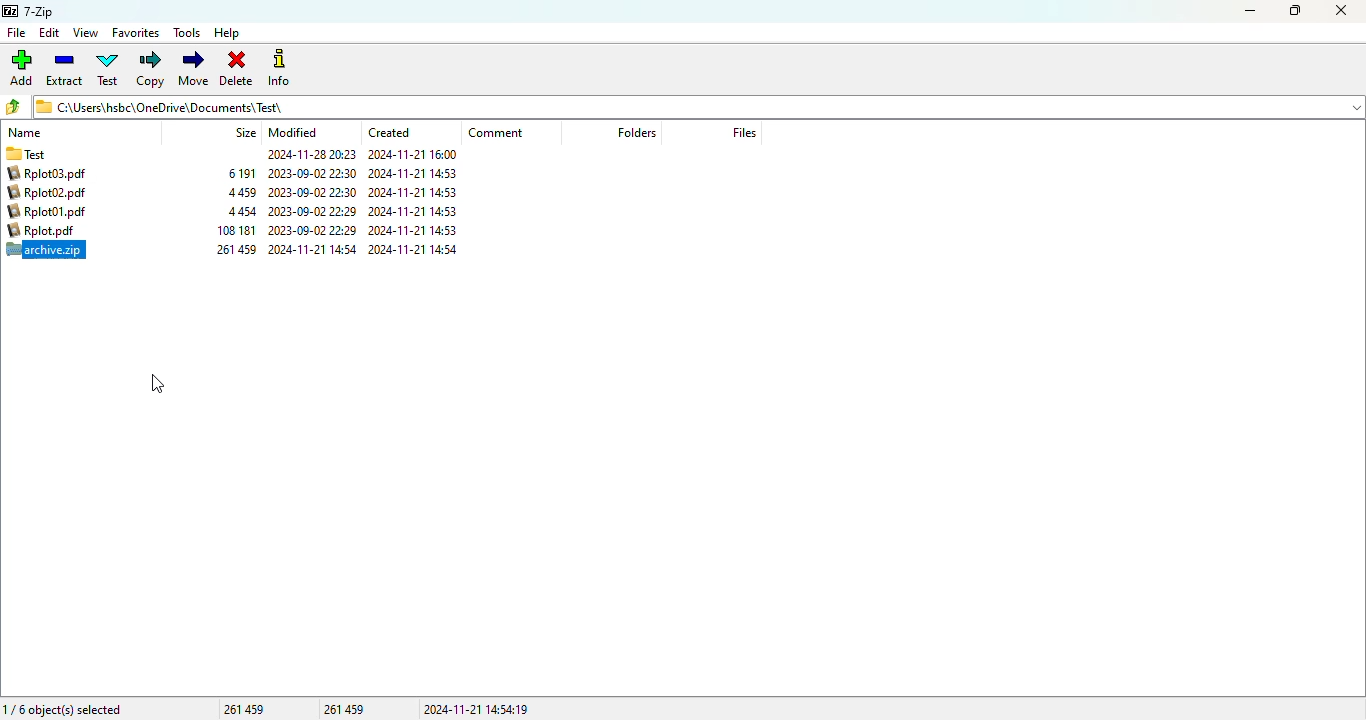  What do you see at coordinates (242, 230) in the screenshot?
I see `4 454` at bounding box center [242, 230].